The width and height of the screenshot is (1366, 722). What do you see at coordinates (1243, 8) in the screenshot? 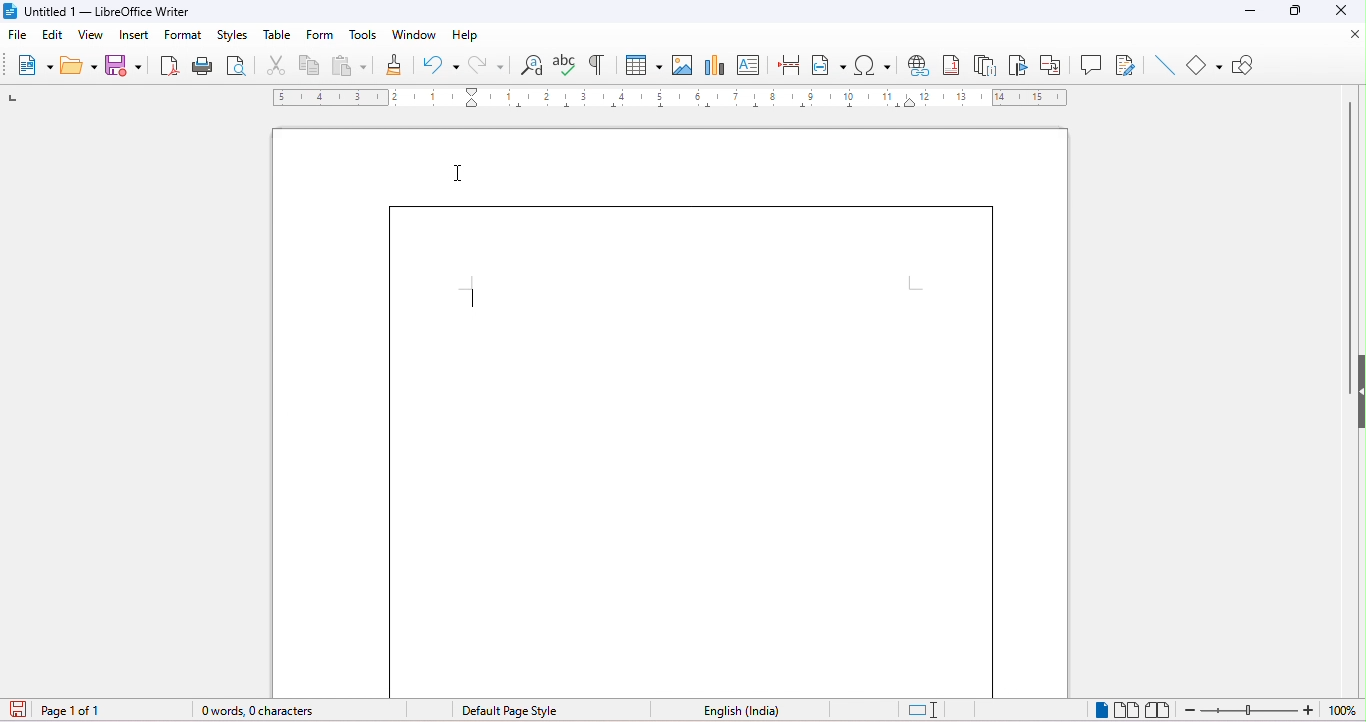
I see `minimize` at bounding box center [1243, 8].